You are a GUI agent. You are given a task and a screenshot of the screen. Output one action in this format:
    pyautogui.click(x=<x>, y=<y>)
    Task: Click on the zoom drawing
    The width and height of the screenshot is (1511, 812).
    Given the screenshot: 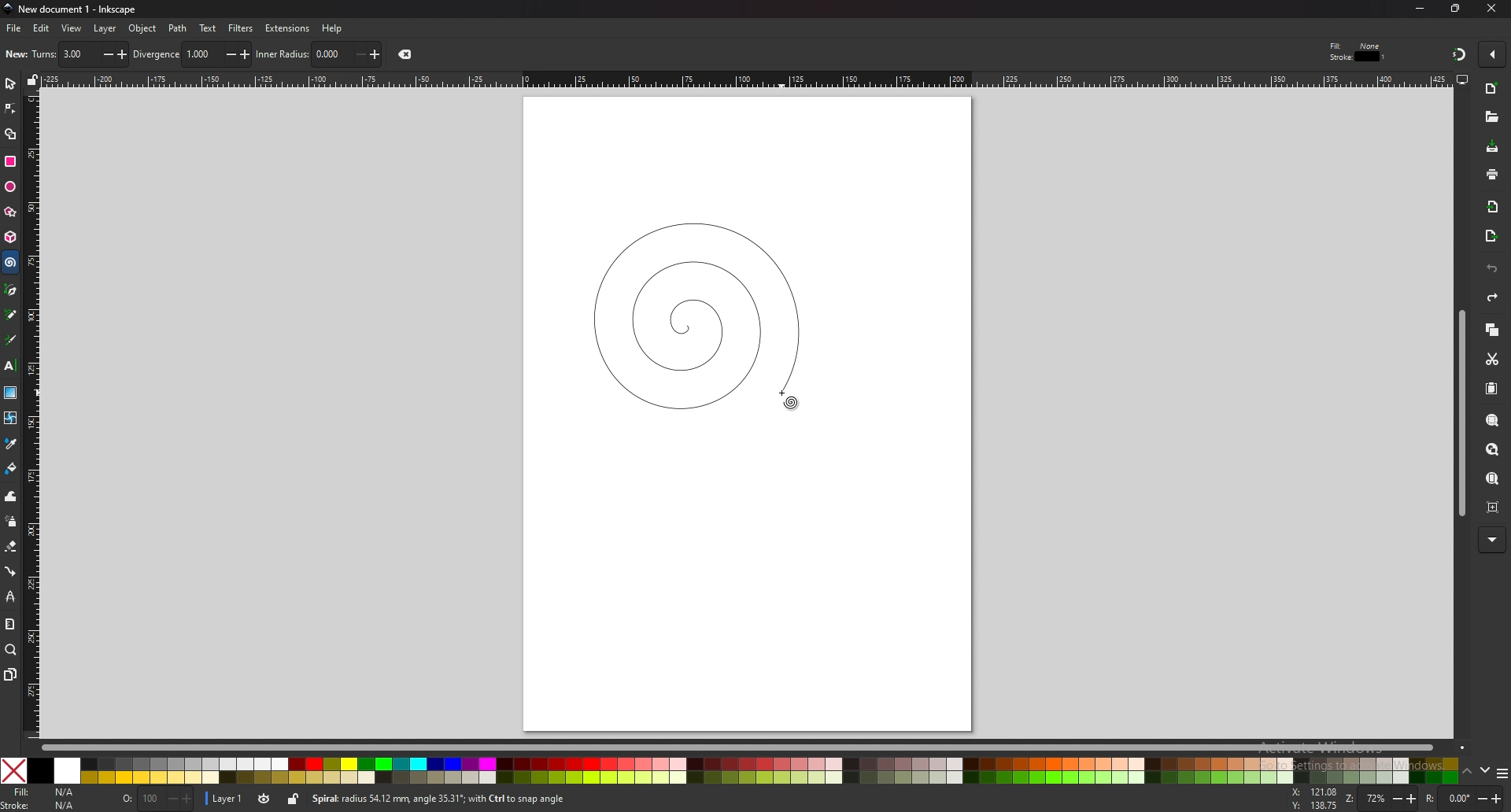 What is the action you would take?
    pyautogui.click(x=1492, y=448)
    